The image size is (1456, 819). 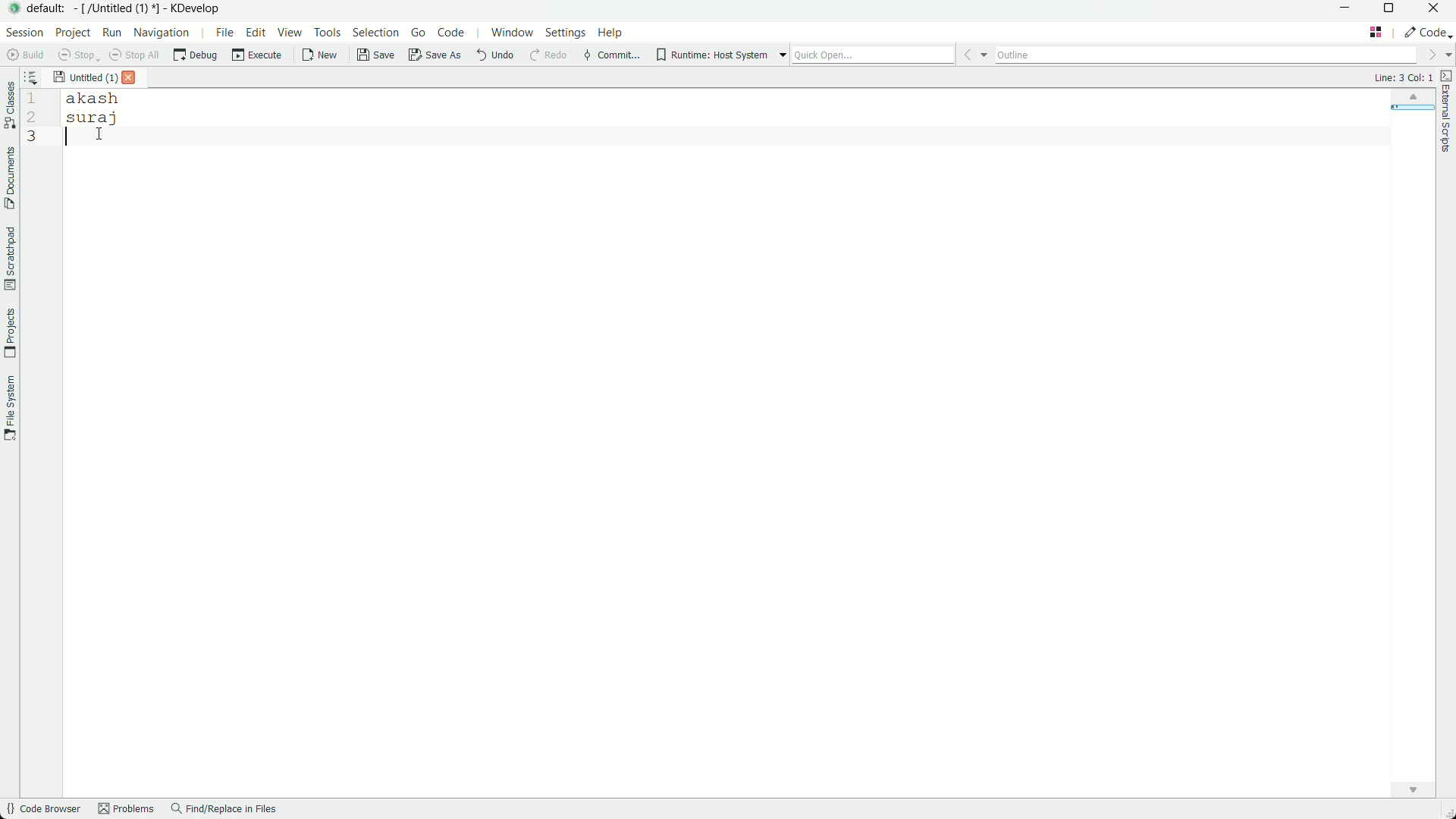 I want to click on redo, so click(x=548, y=57).